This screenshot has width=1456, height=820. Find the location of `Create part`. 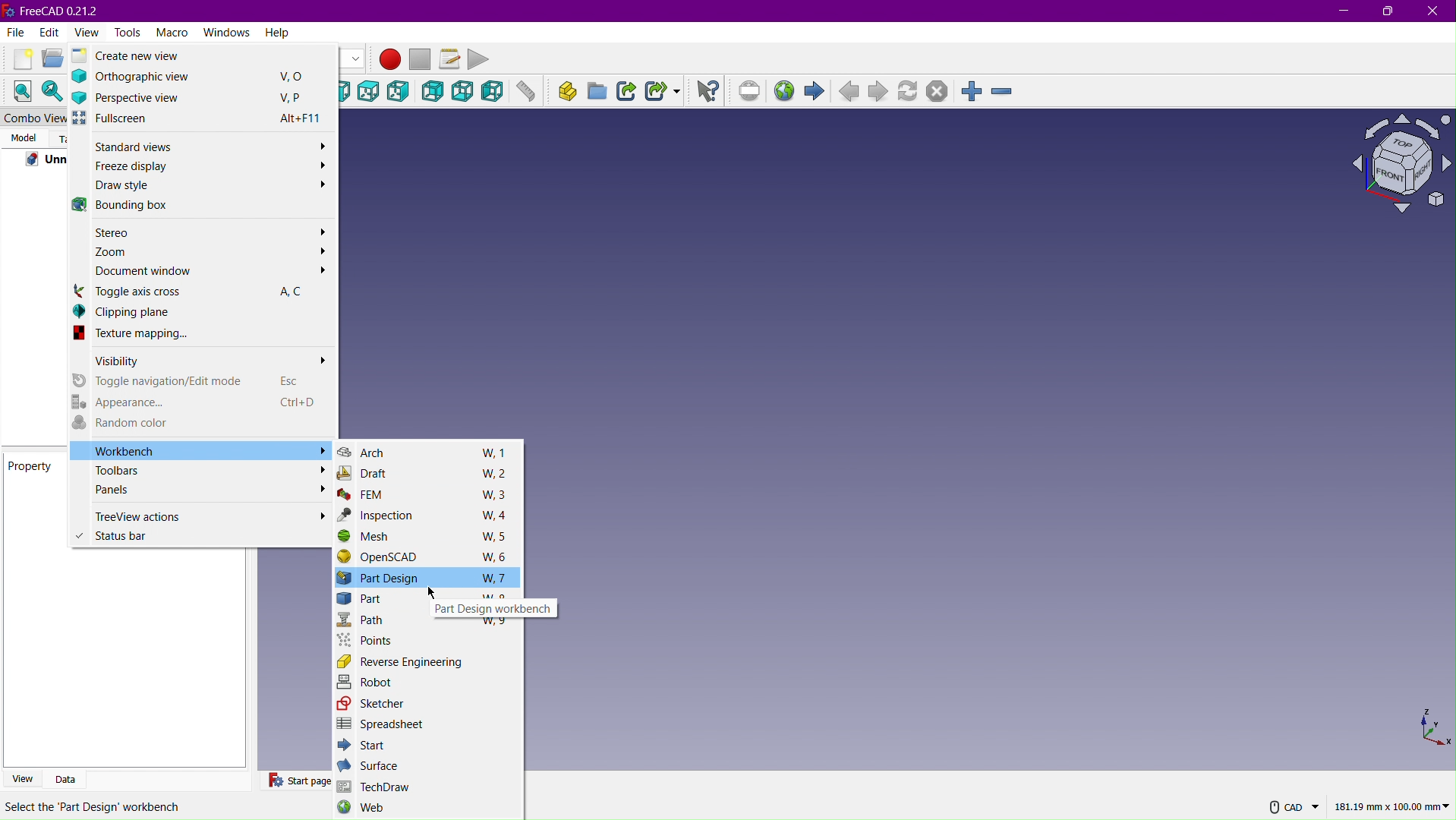

Create part is located at coordinates (566, 93).